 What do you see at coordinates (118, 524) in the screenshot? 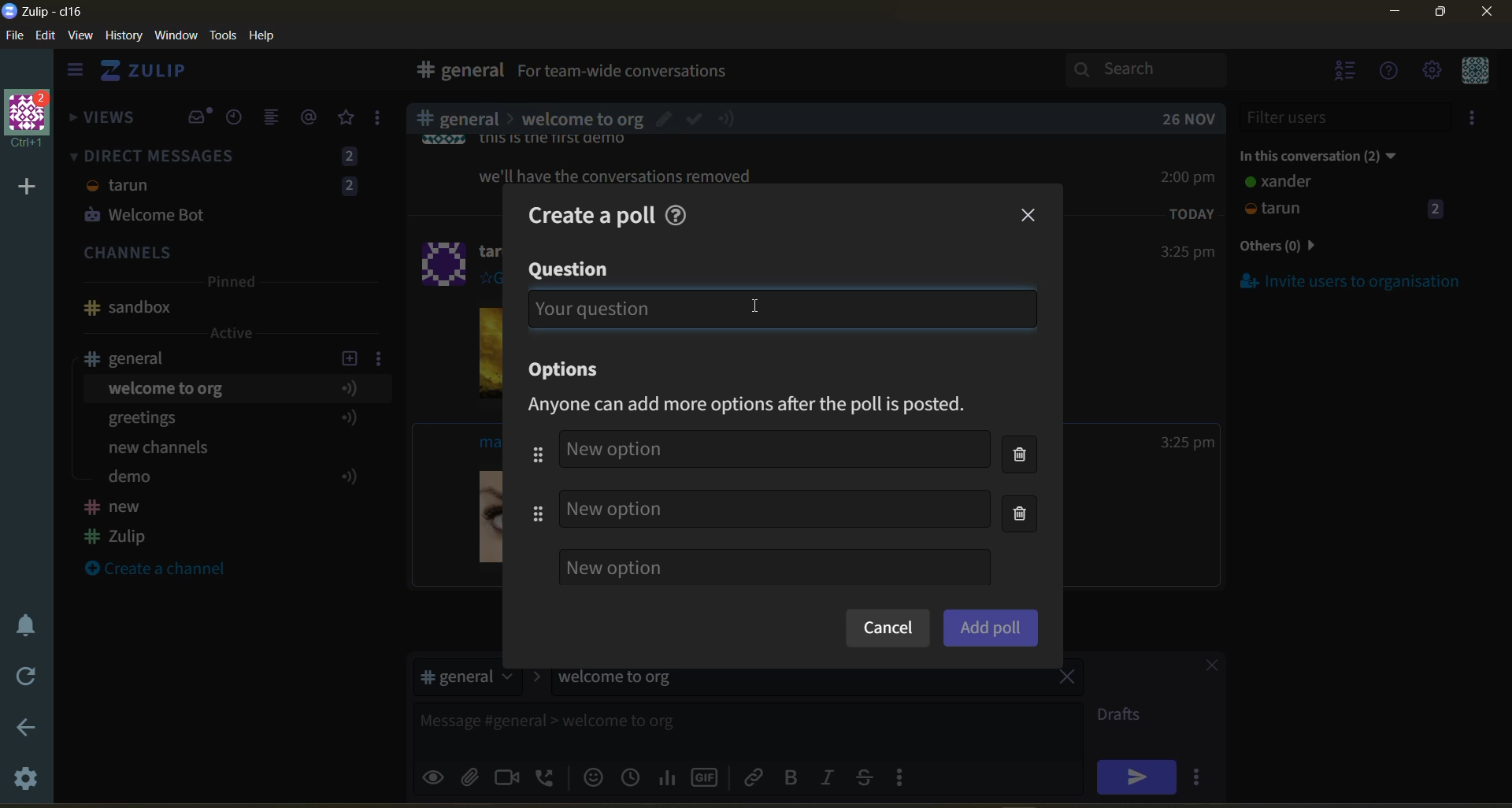
I see `Channel names` at bounding box center [118, 524].